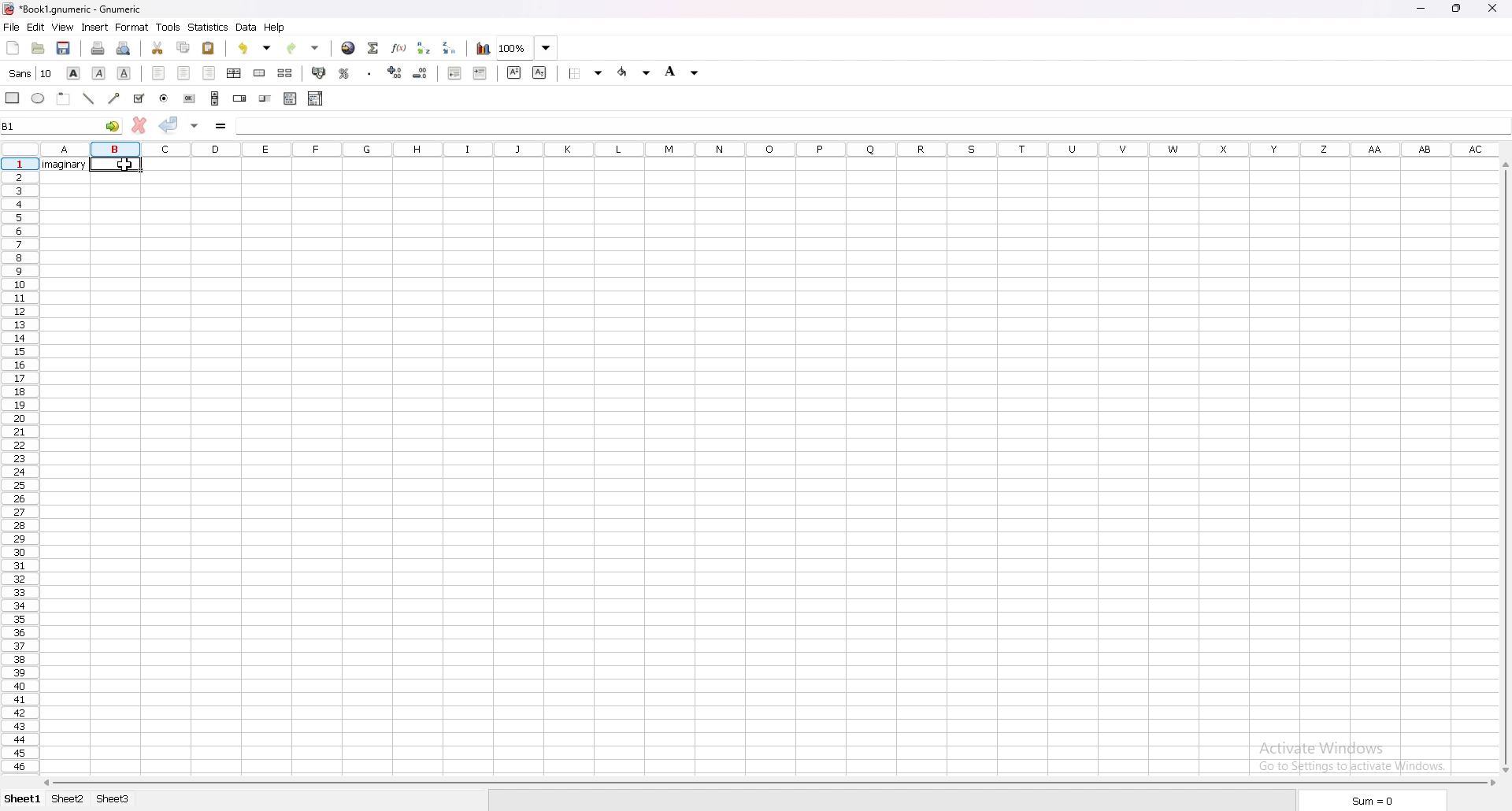  I want to click on hyperlink, so click(349, 48).